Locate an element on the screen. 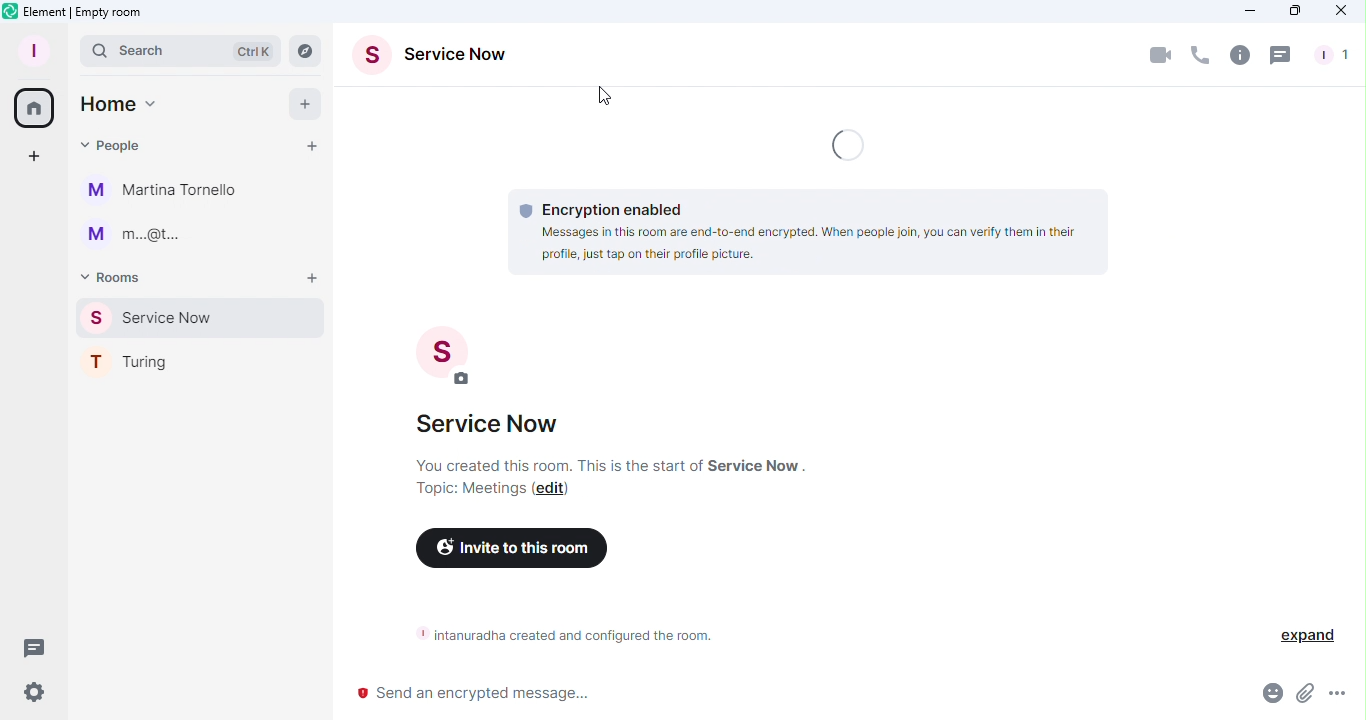  Write message is located at coordinates (787, 695).